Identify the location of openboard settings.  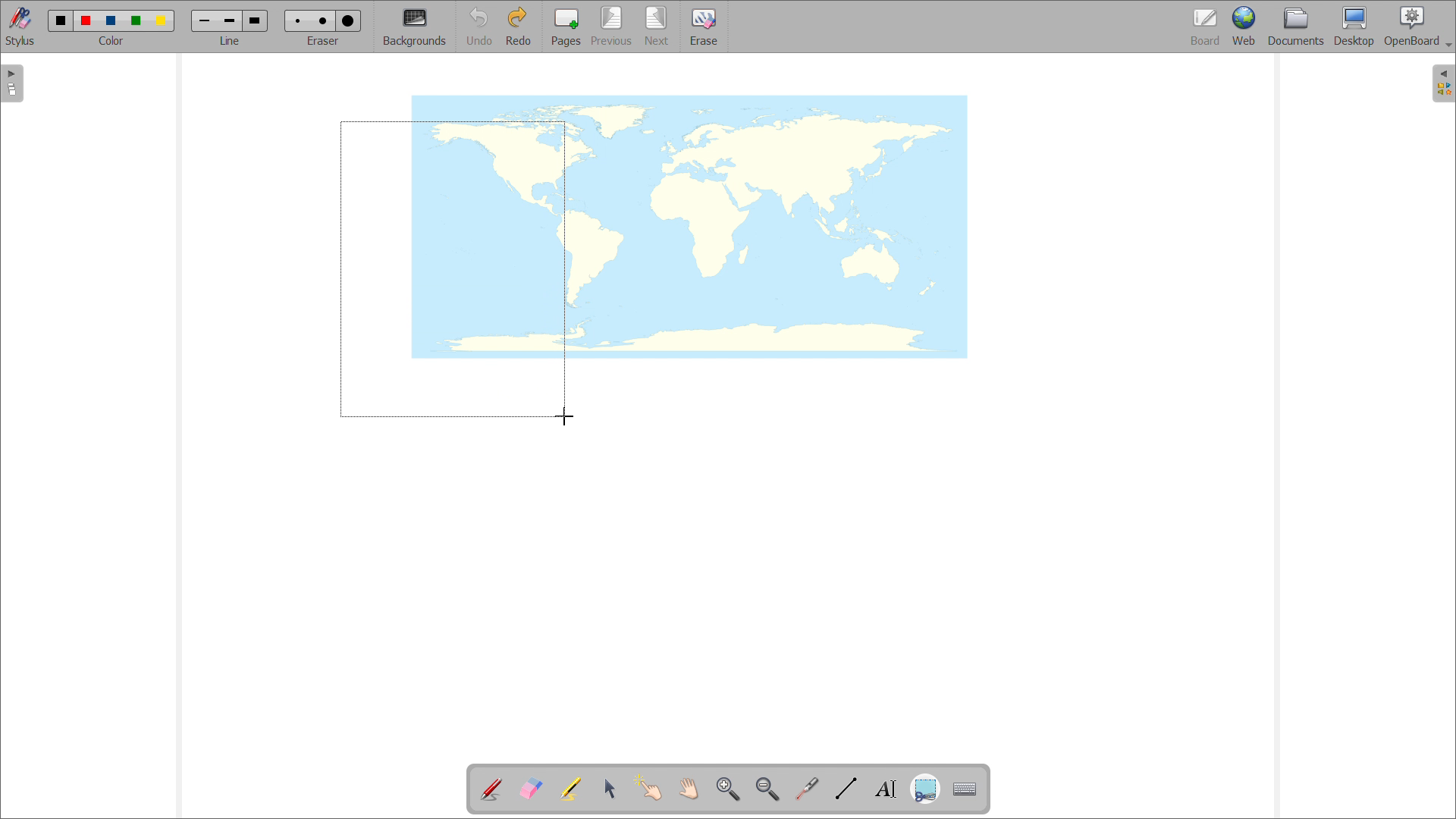
(1417, 25).